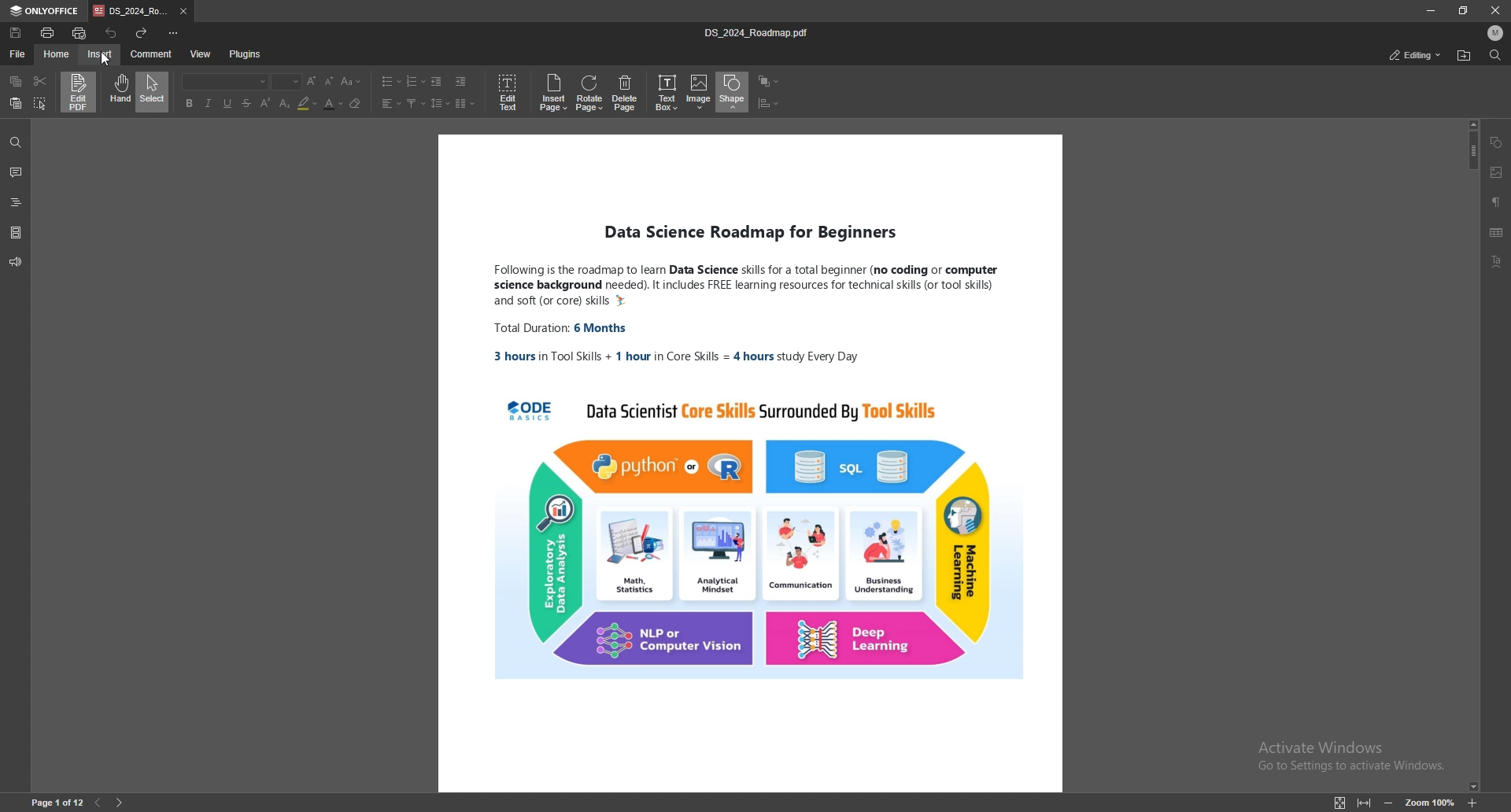 The height and width of the screenshot is (812, 1511). I want to click on comment, so click(17, 172).